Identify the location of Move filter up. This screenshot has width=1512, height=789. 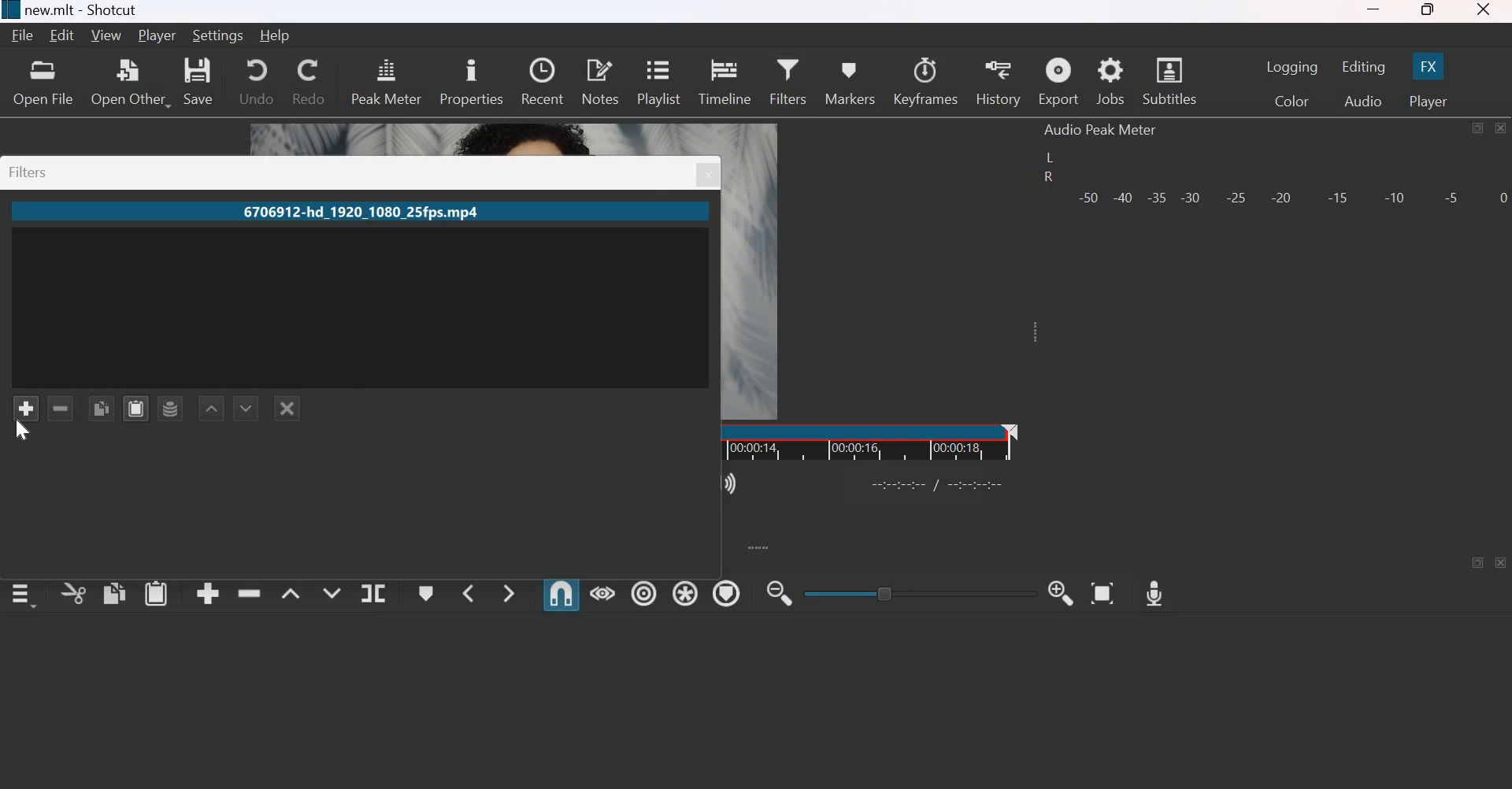
(210, 408).